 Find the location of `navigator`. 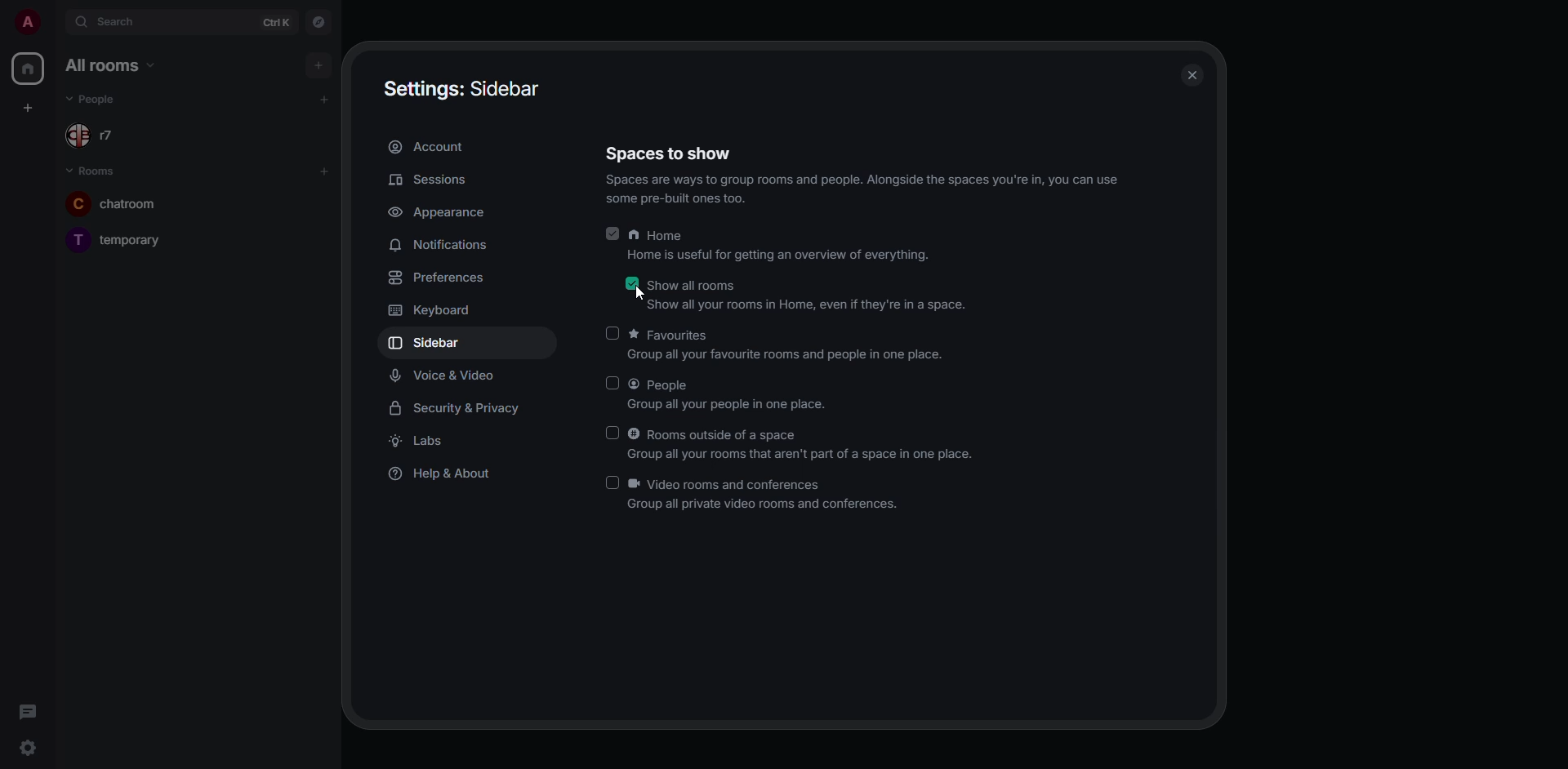

navigator is located at coordinates (318, 23).